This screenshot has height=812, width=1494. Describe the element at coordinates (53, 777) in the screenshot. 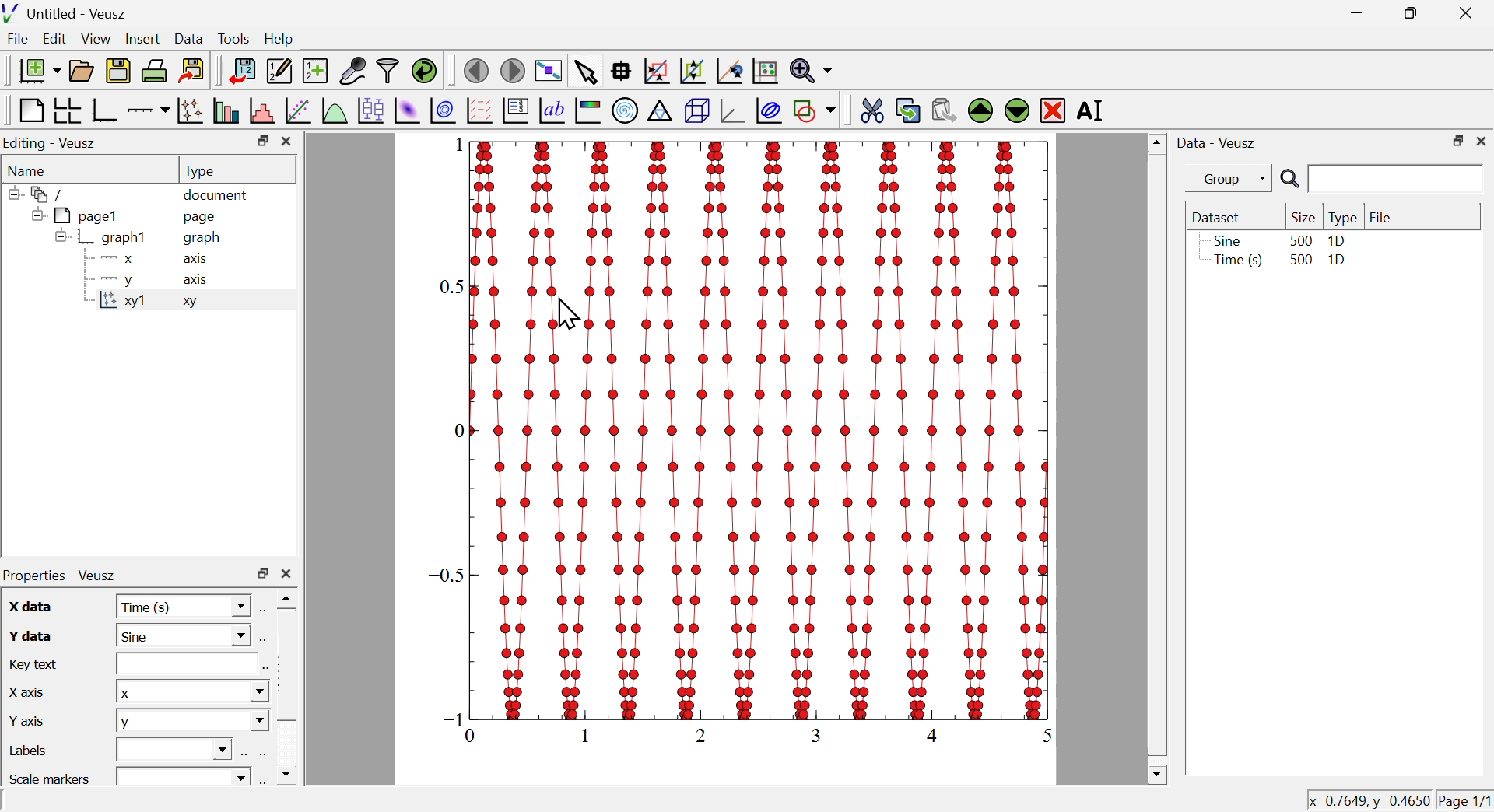

I see `scale markers` at that location.